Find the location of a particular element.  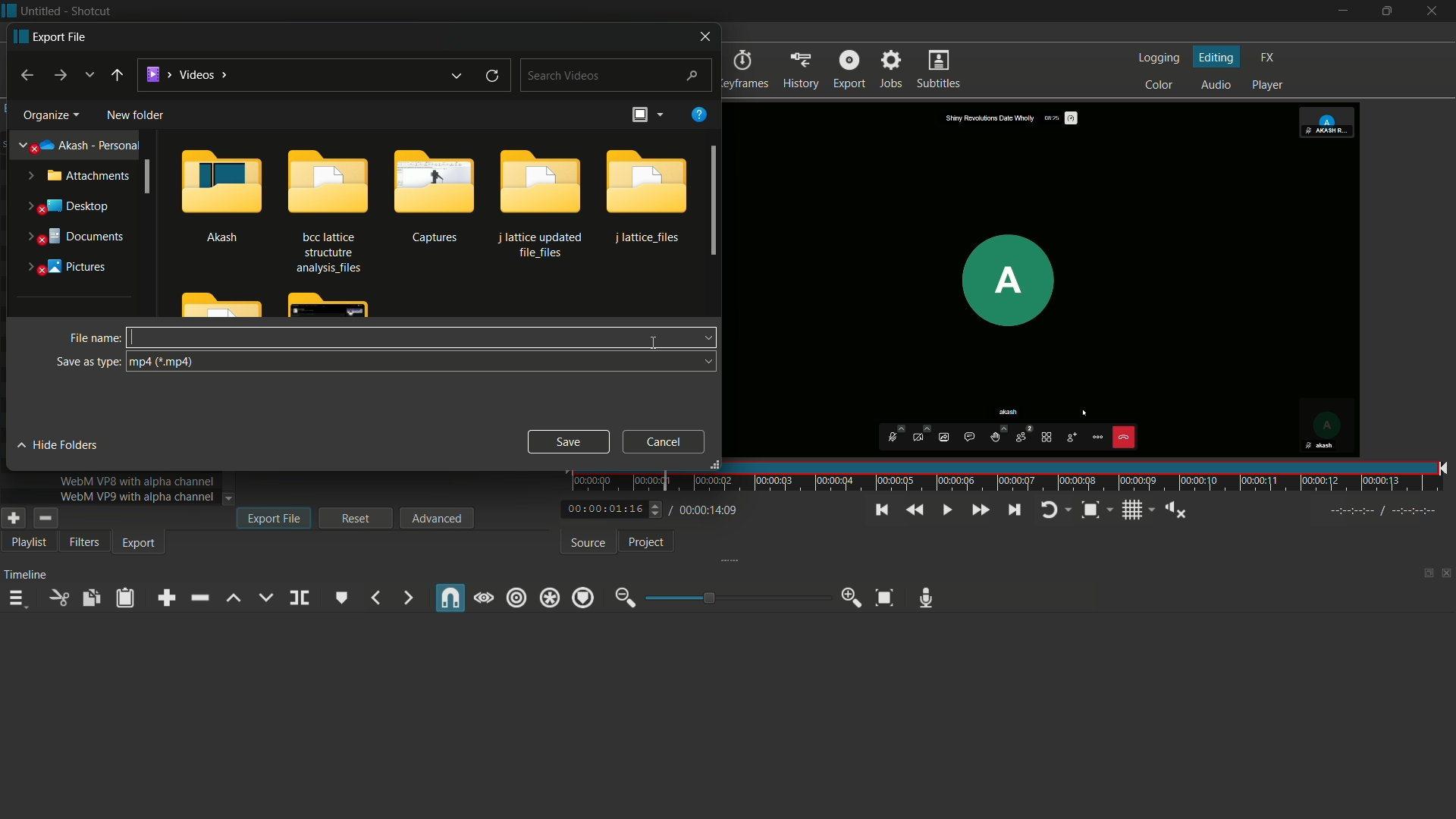

editing is located at coordinates (1216, 58).